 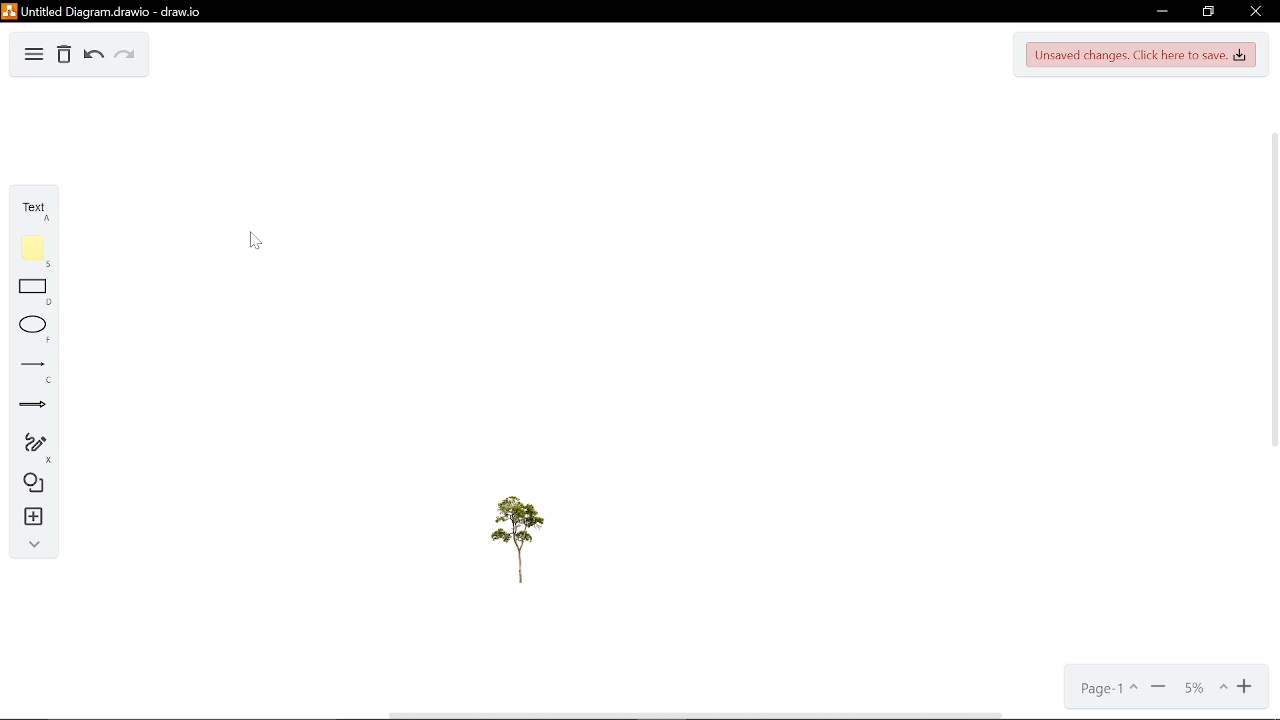 I want to click on Current zoom, so click(x=1202, y=689).